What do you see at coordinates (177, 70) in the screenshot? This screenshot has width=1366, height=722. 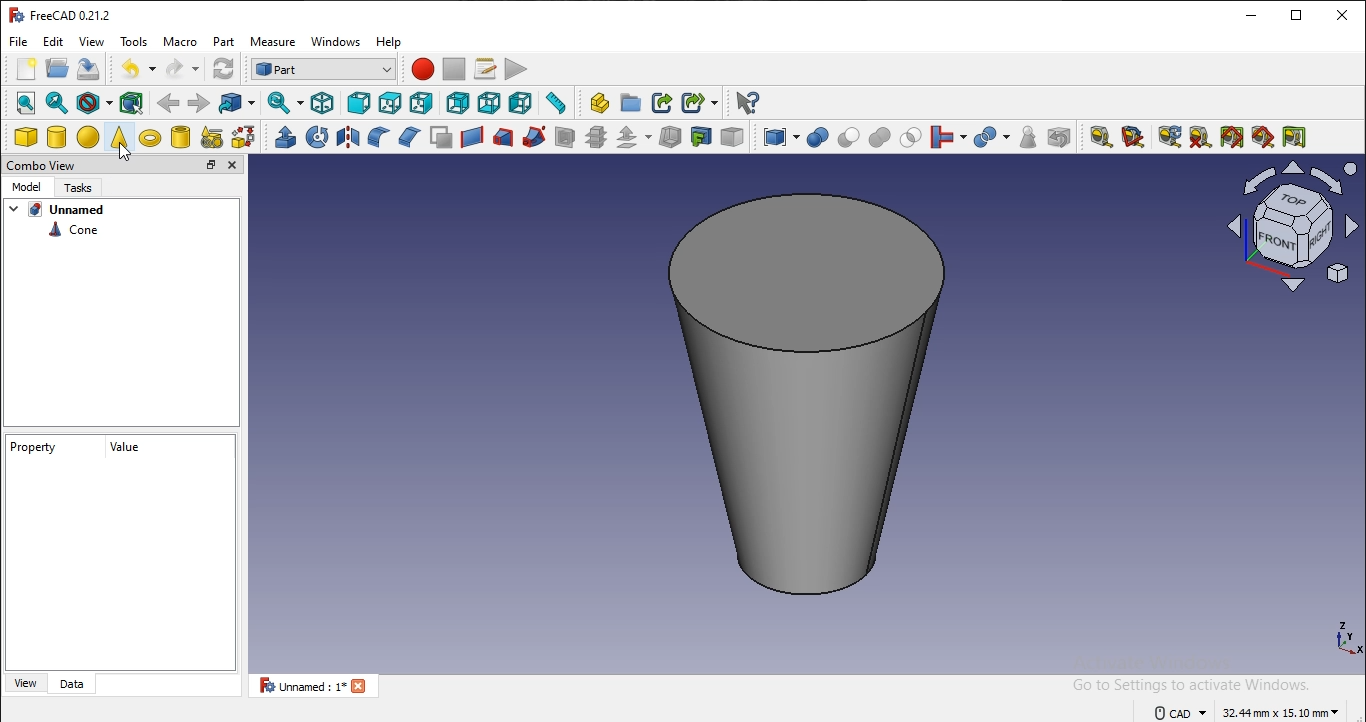 I see `redo` at bounding box center [177, 70].